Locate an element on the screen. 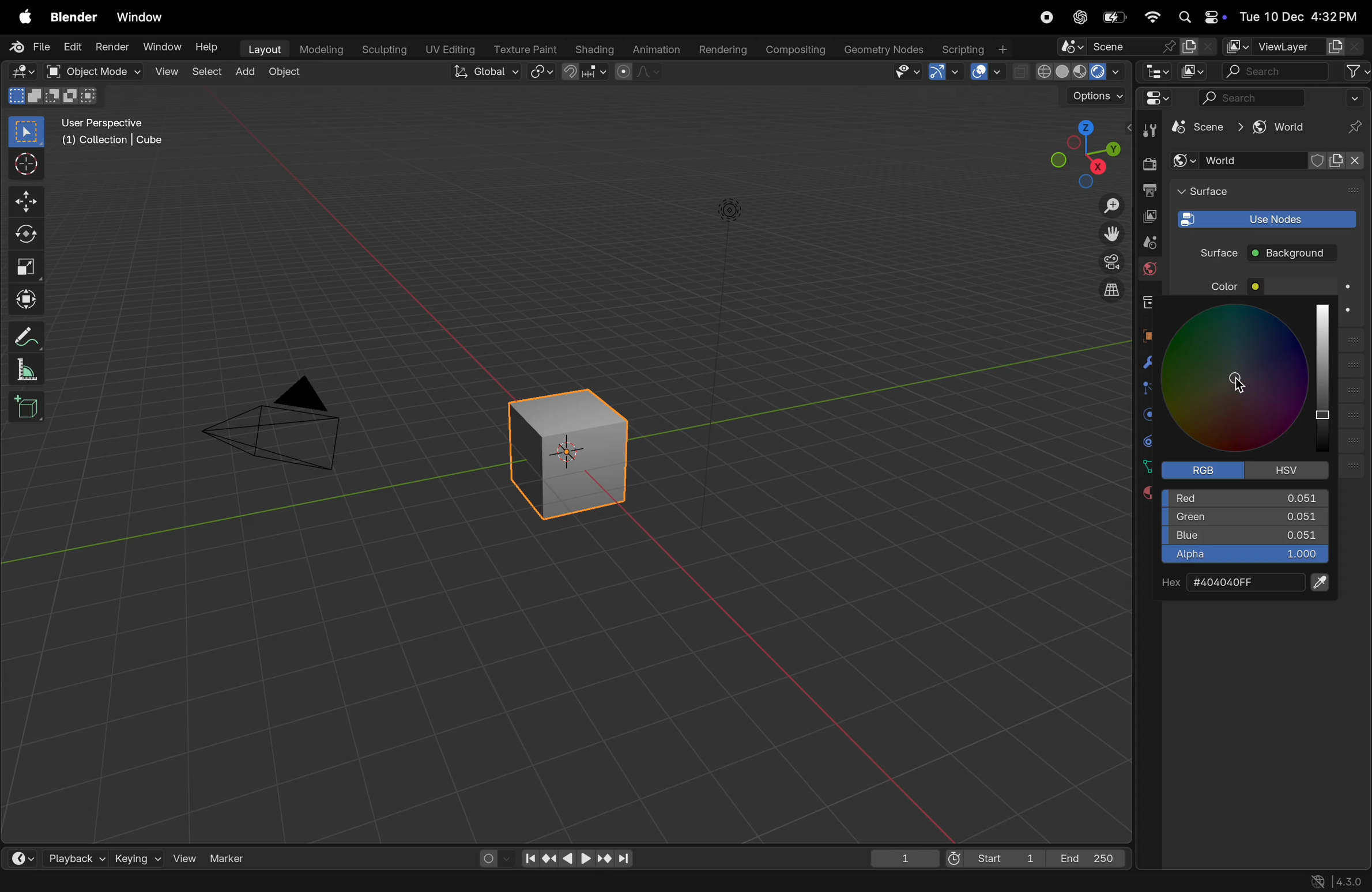 The image size is (1372, 892). object mode is located at coordinates (96, 71).